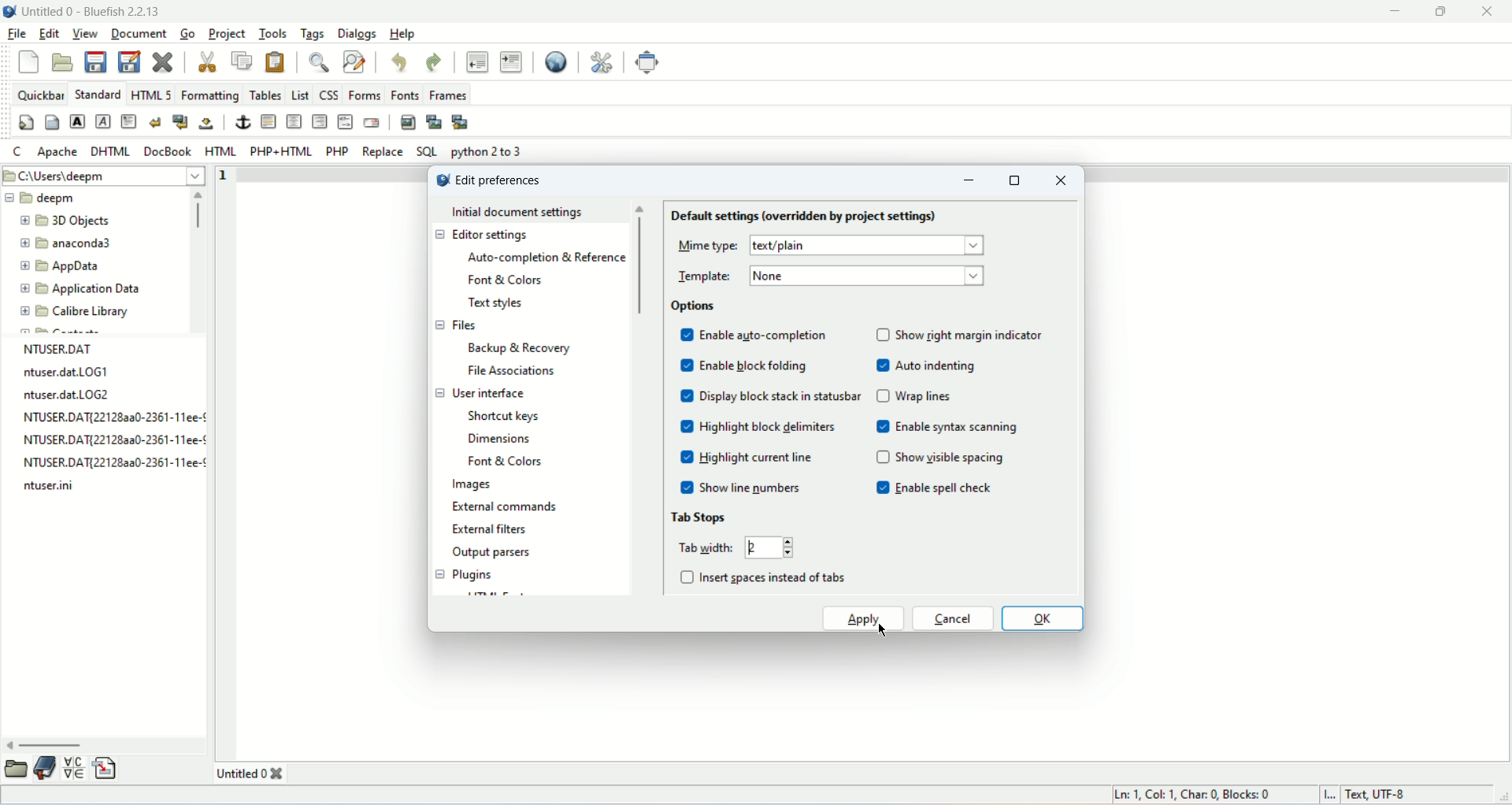  Describe the element at coordinates (971, 334) in the screenshot. I see `show  night margin indicator` at that location.